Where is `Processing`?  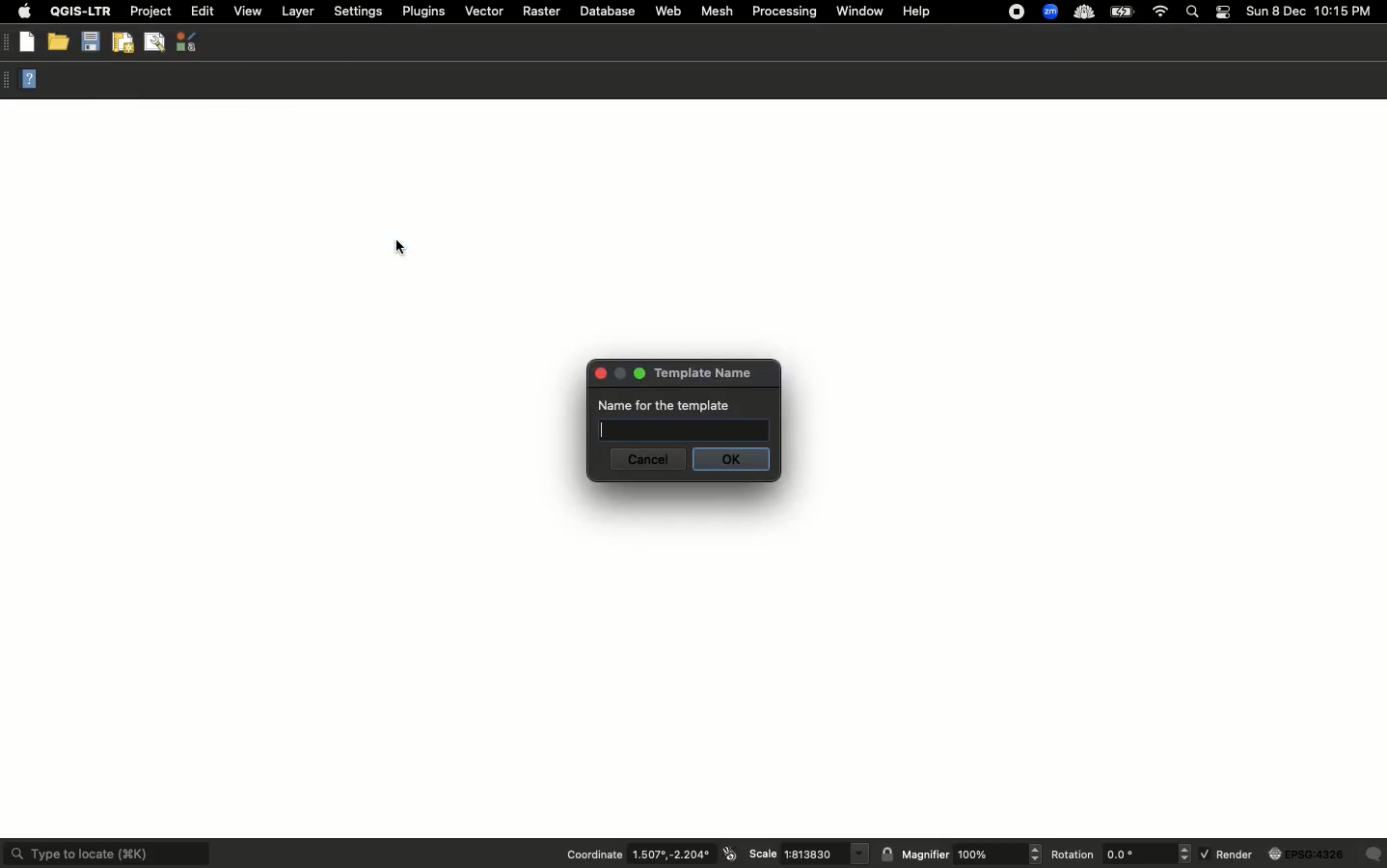 Processing is located at coordinates (784, 10).